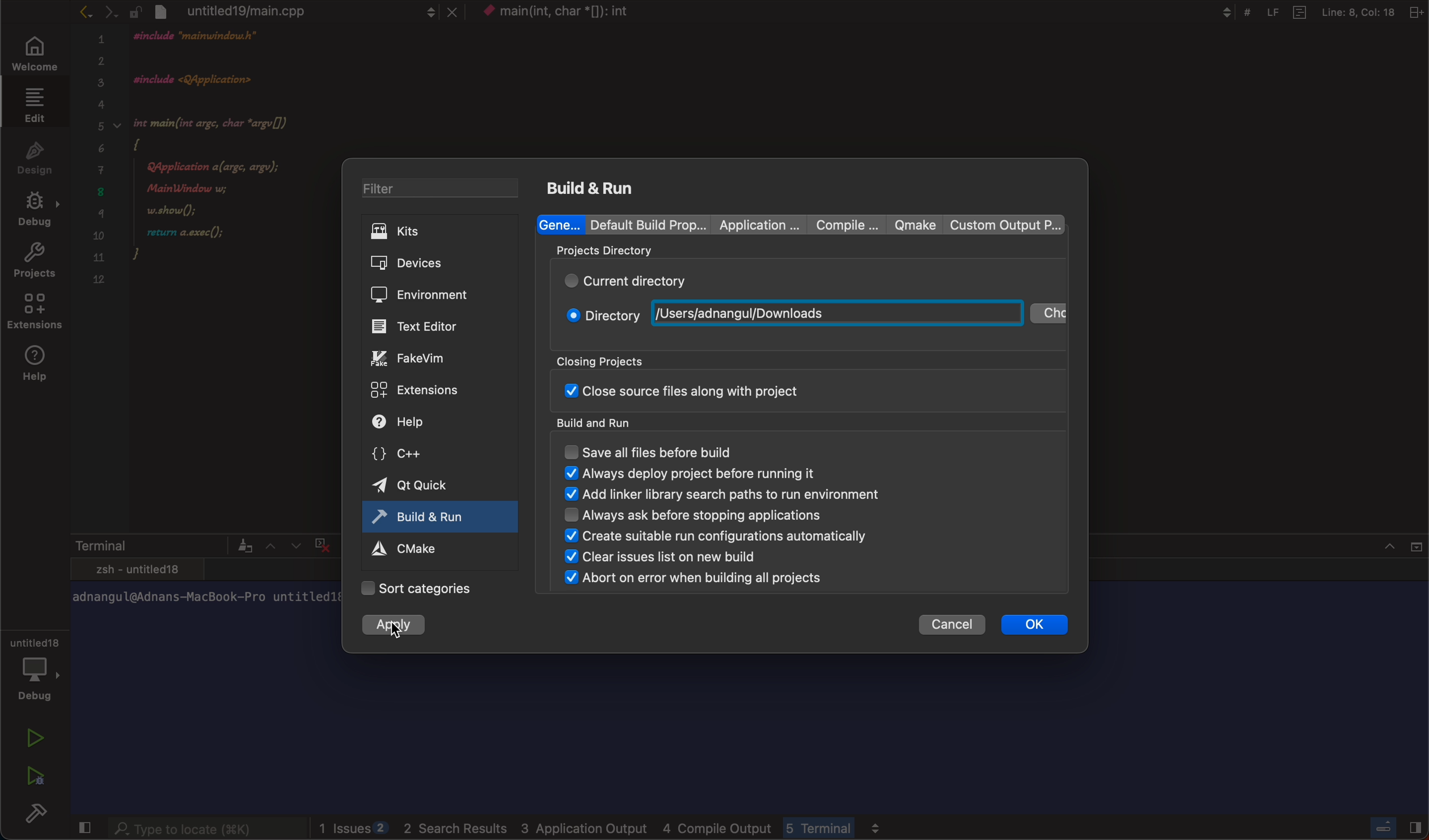  What do you see at coordinates (953, 624) in the screenshot?
I see `cancel` at bounding box center [953, 624].